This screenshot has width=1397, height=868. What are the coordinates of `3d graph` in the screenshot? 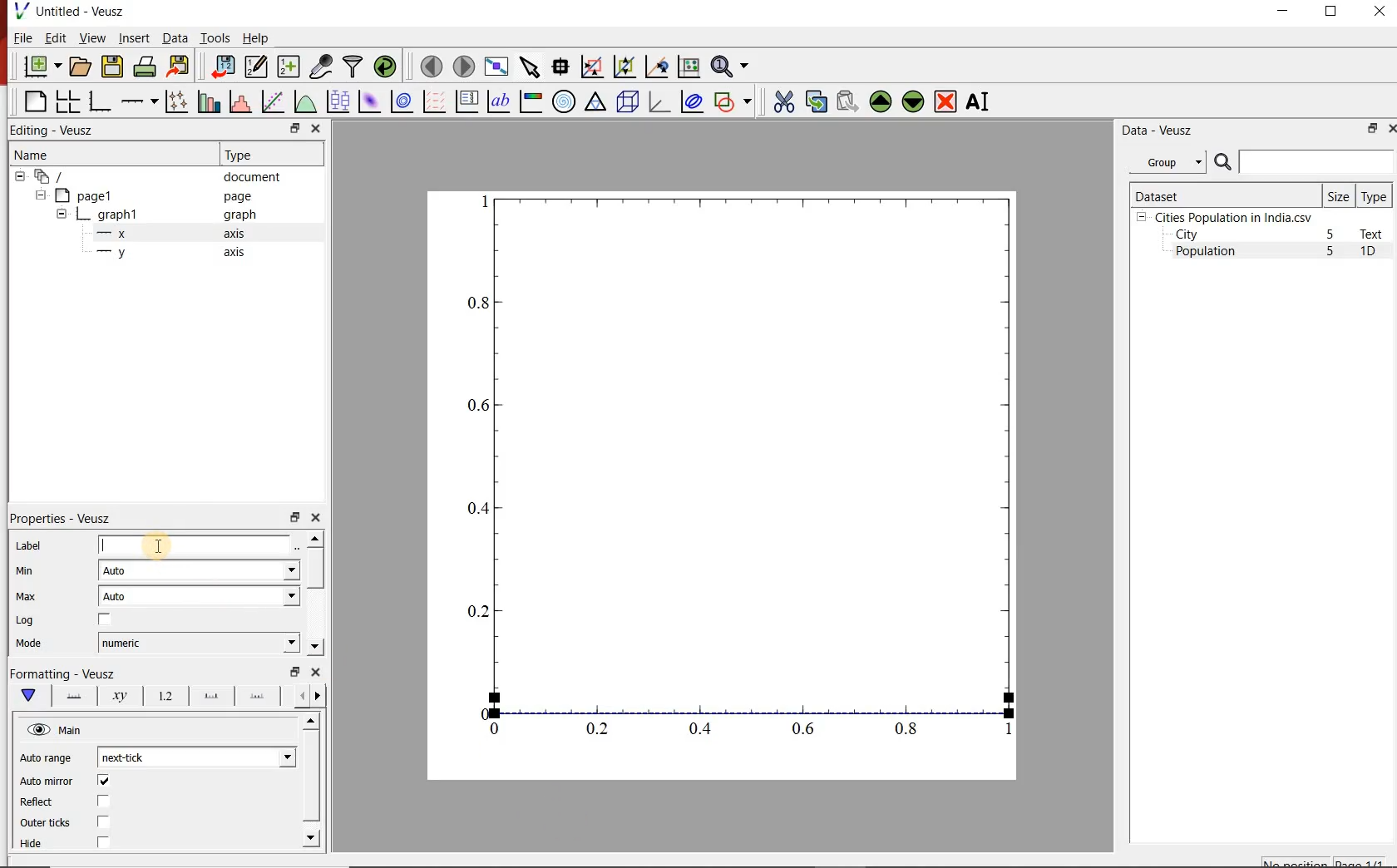 It's located at (658, 101).